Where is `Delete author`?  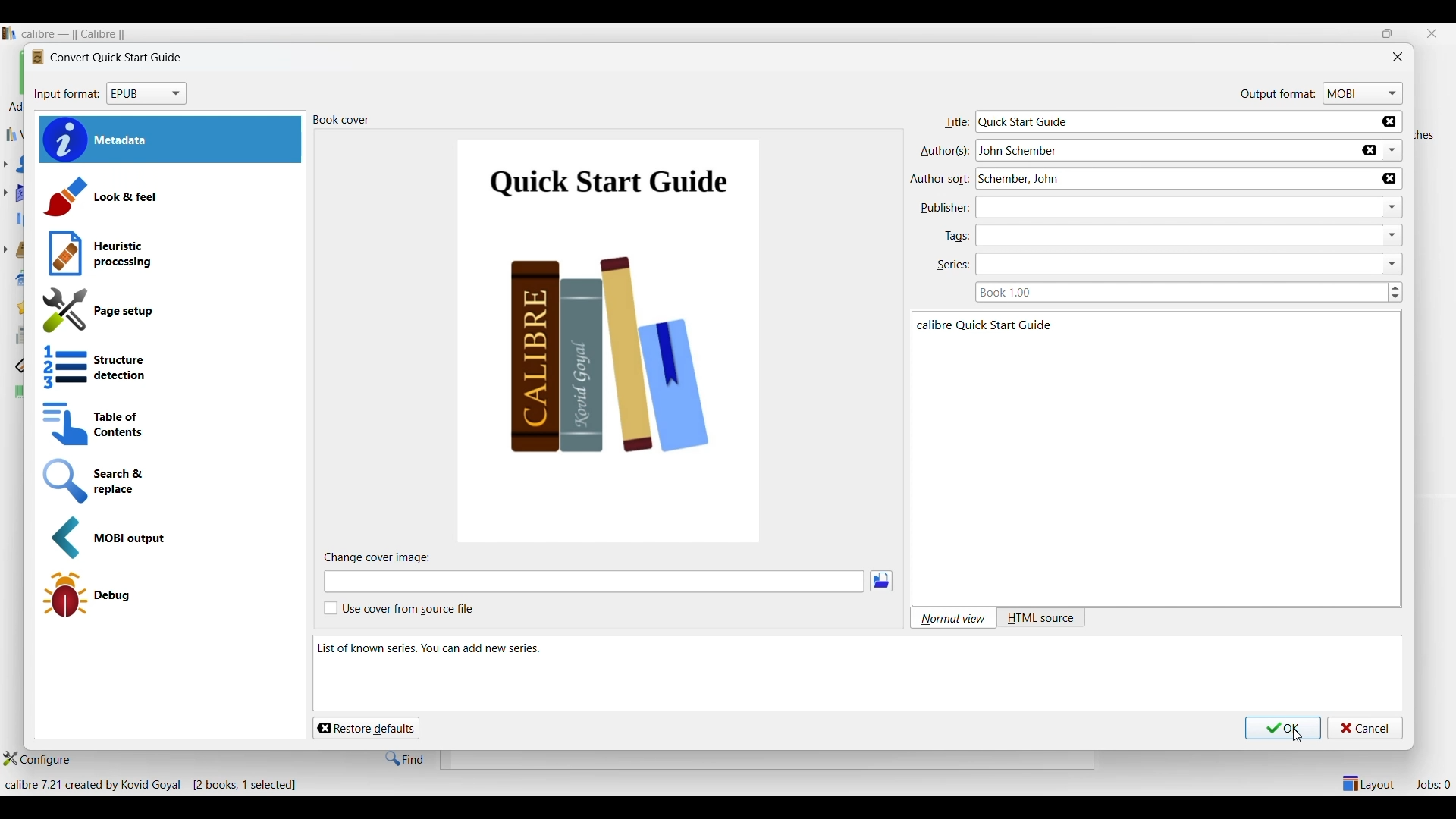
Delete author is located at coordinates (1370, 150).